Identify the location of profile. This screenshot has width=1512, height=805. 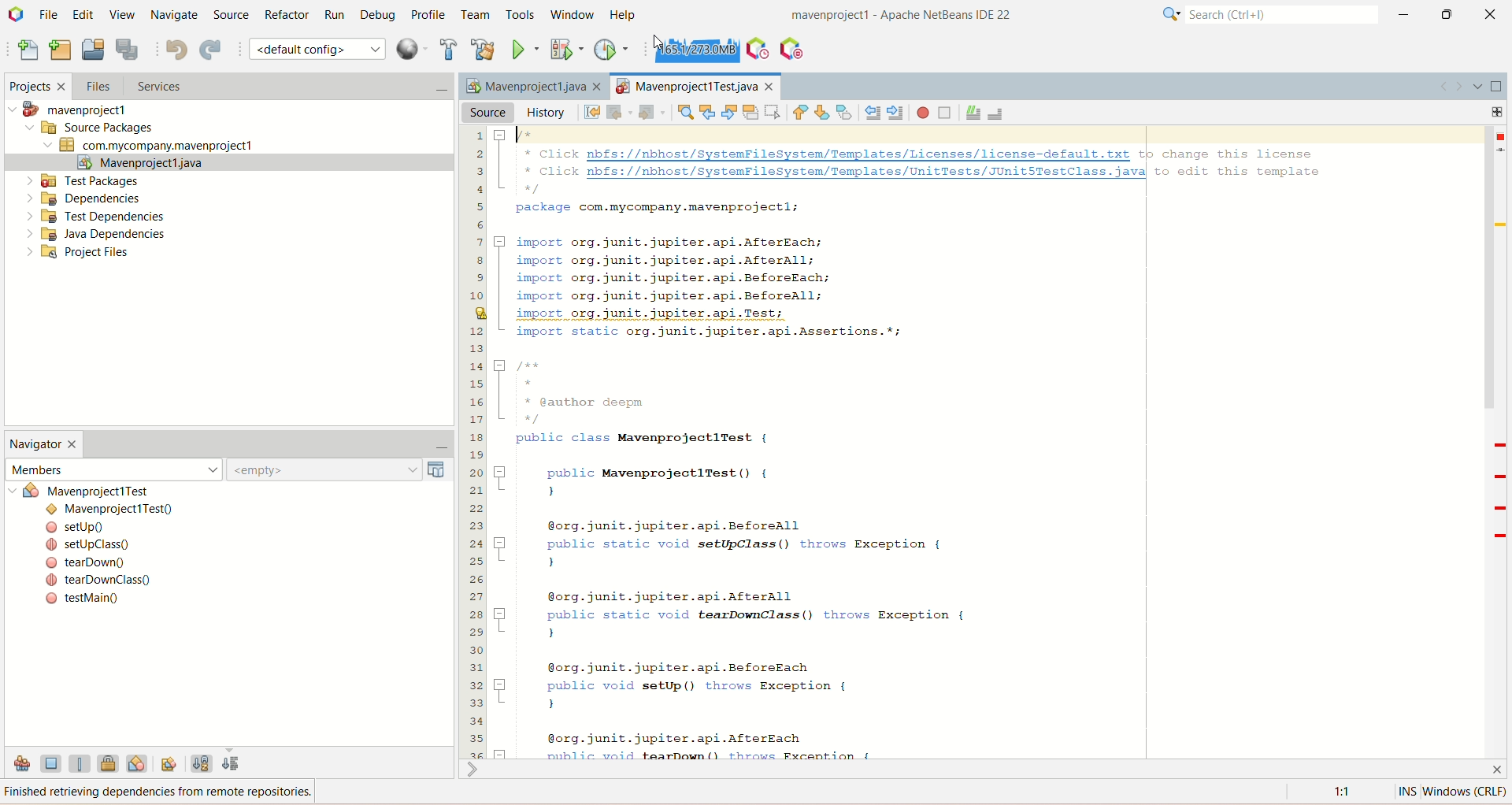
(431, 14).